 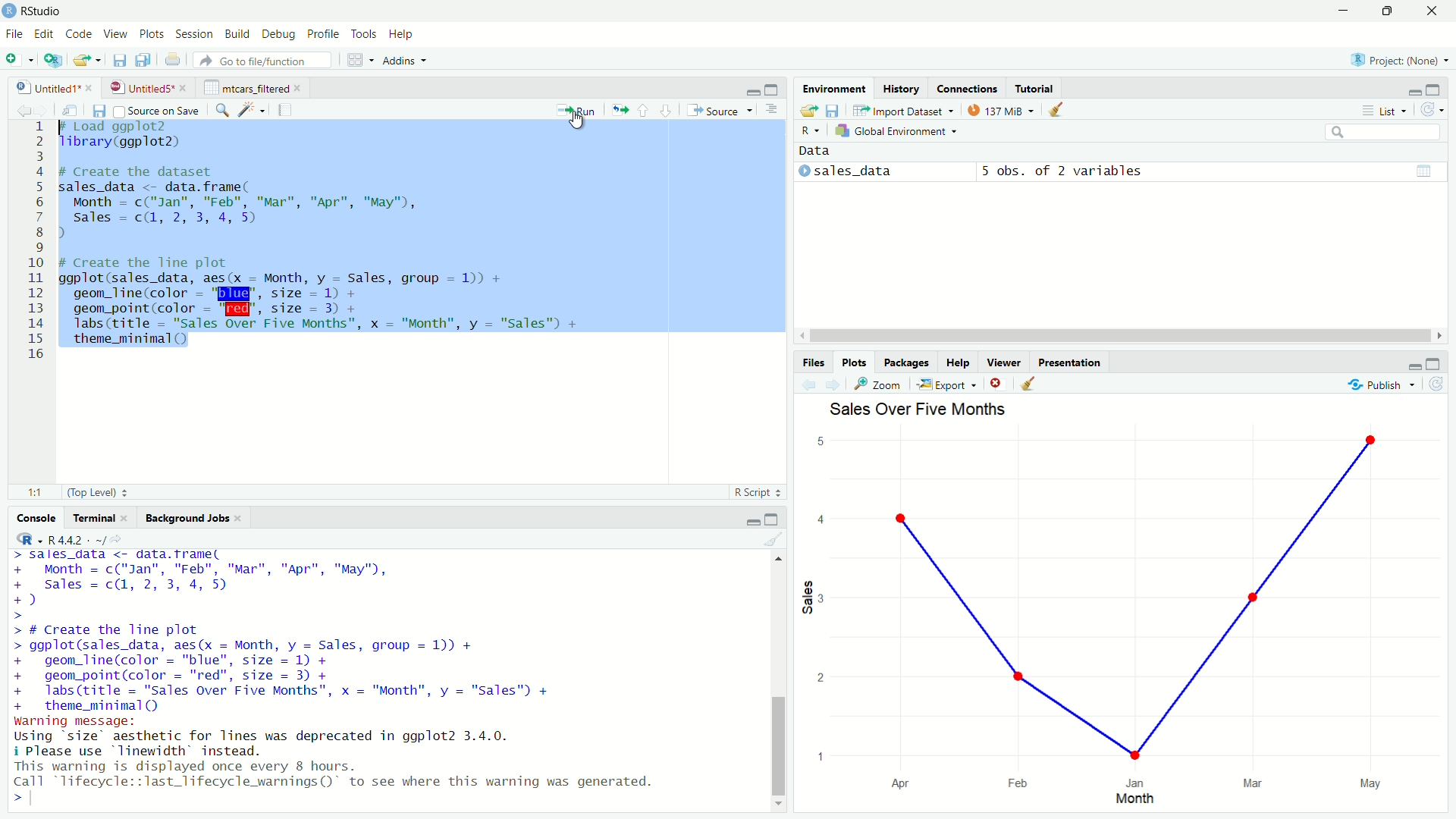 What do you see at coordinates (15, 34) in the screenshot?
I see `file` at bounding box center [15, 34].